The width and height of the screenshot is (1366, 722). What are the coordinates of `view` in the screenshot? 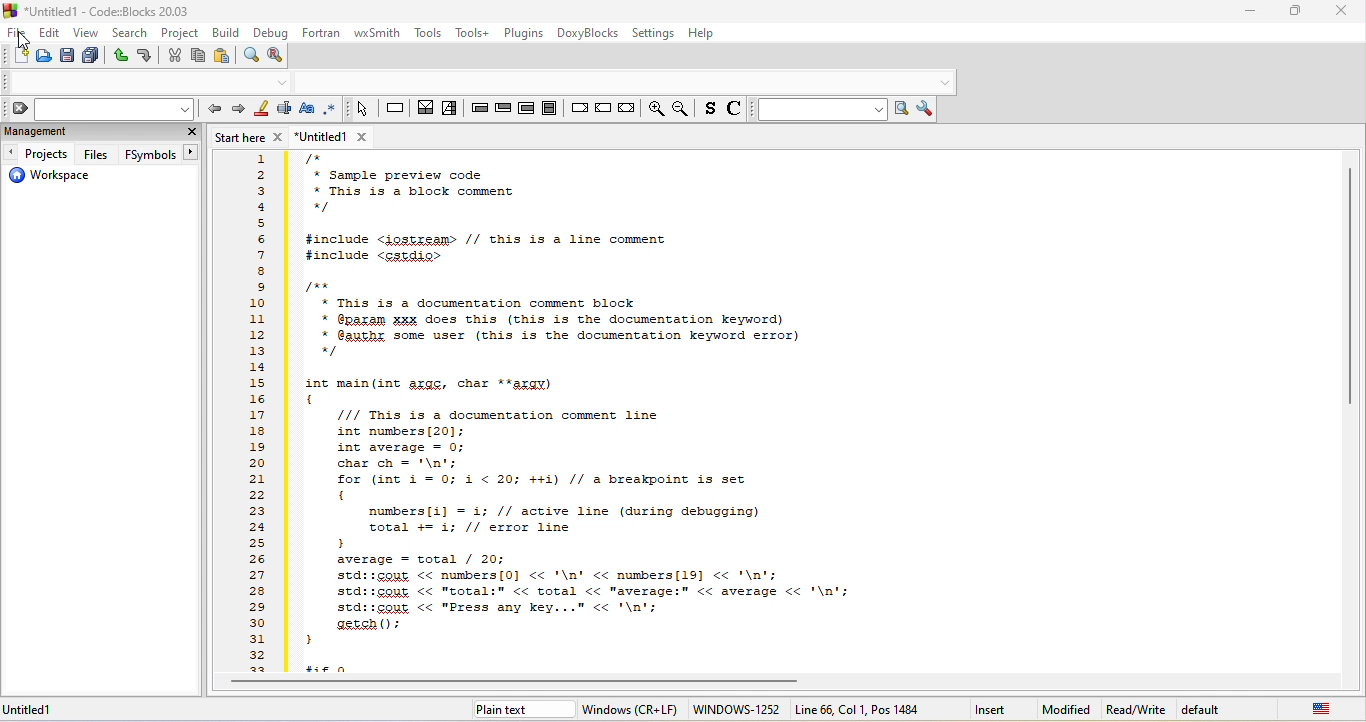 It's located at (87, 34).